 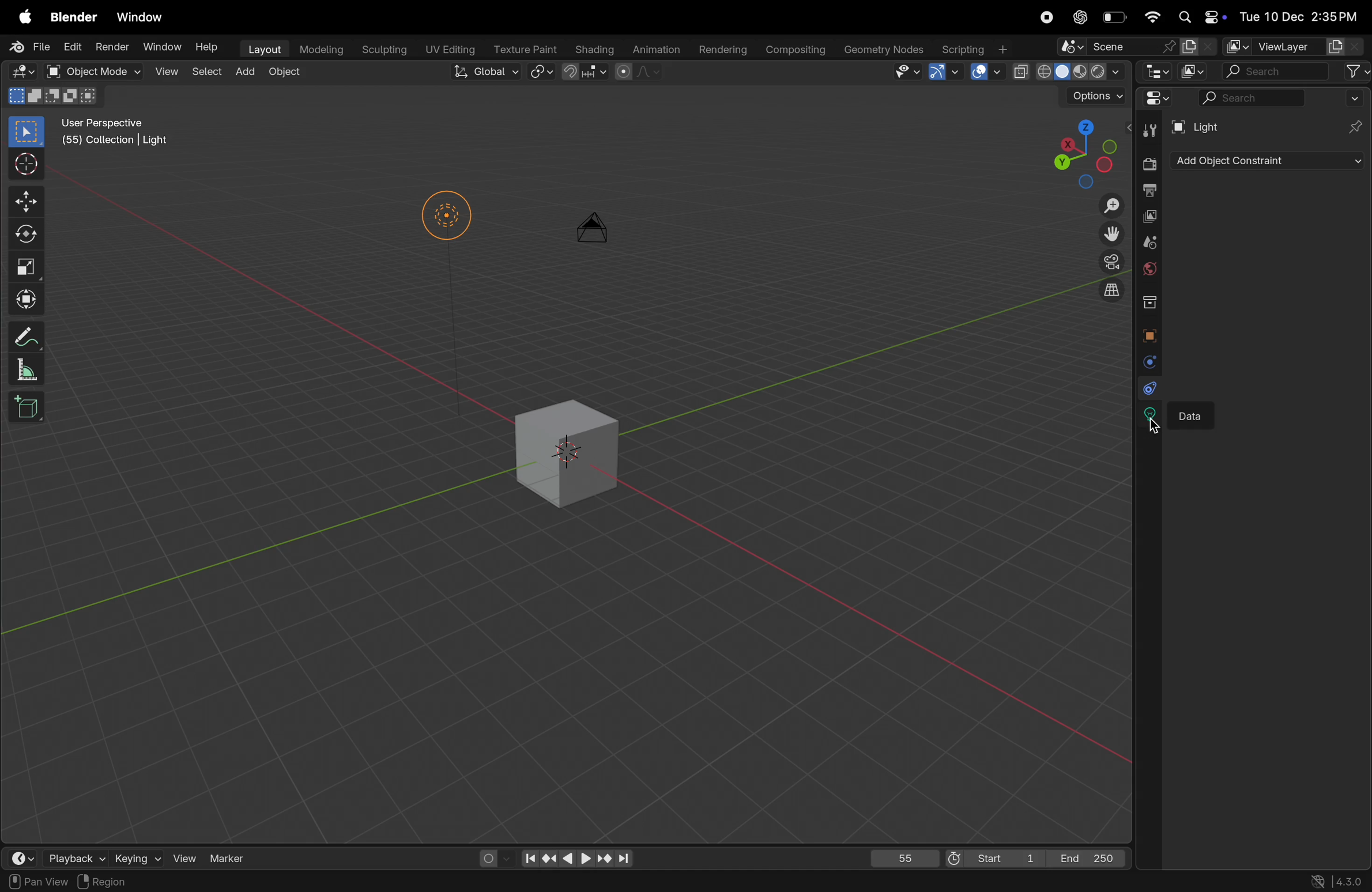 What do you see at coordinates (1094, 96) in the screenshot?
I see `option` at bounding box center [1094, 96].